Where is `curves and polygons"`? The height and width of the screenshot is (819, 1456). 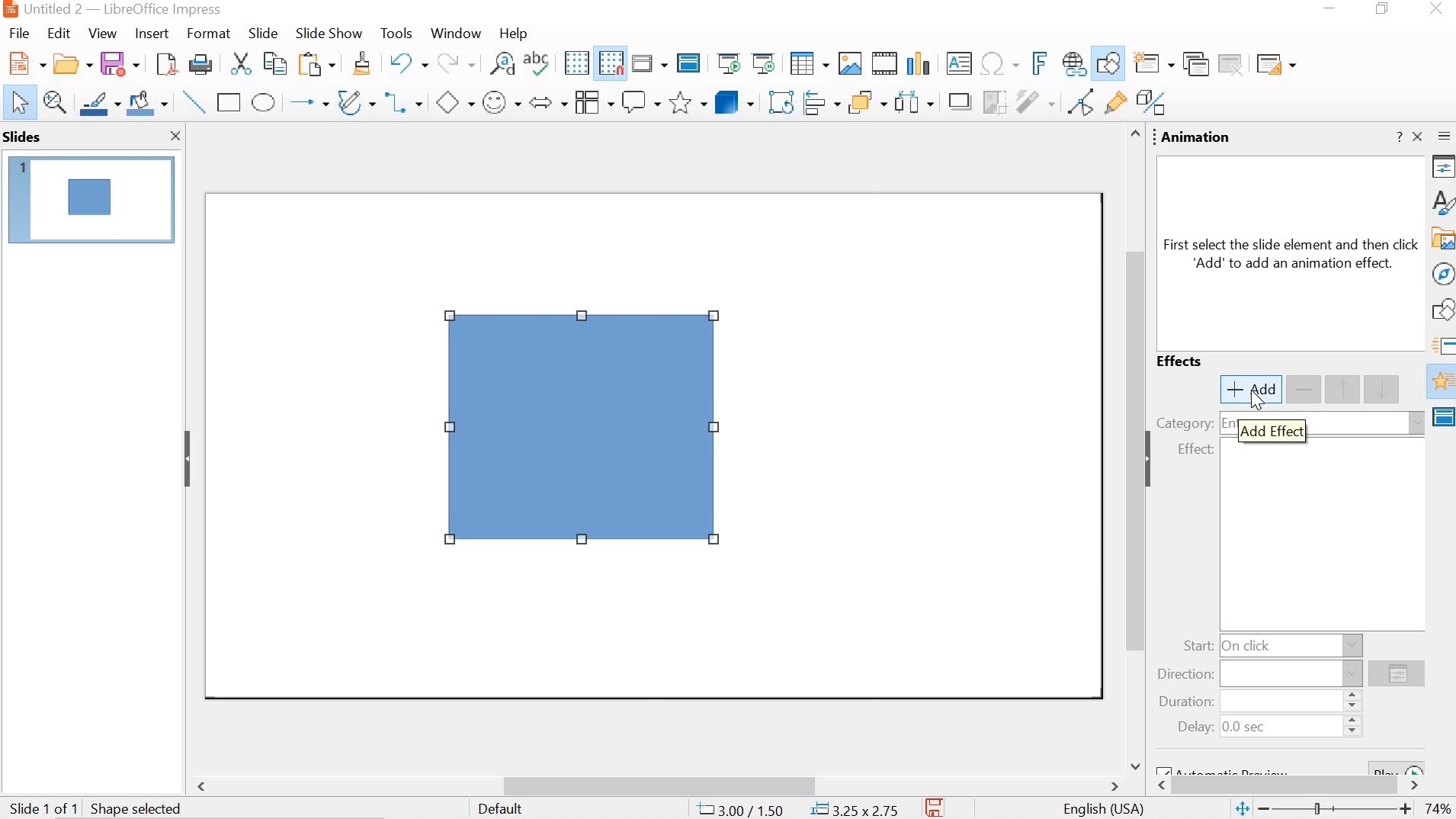 curves and polygons" is located at coordinates (354, 101).